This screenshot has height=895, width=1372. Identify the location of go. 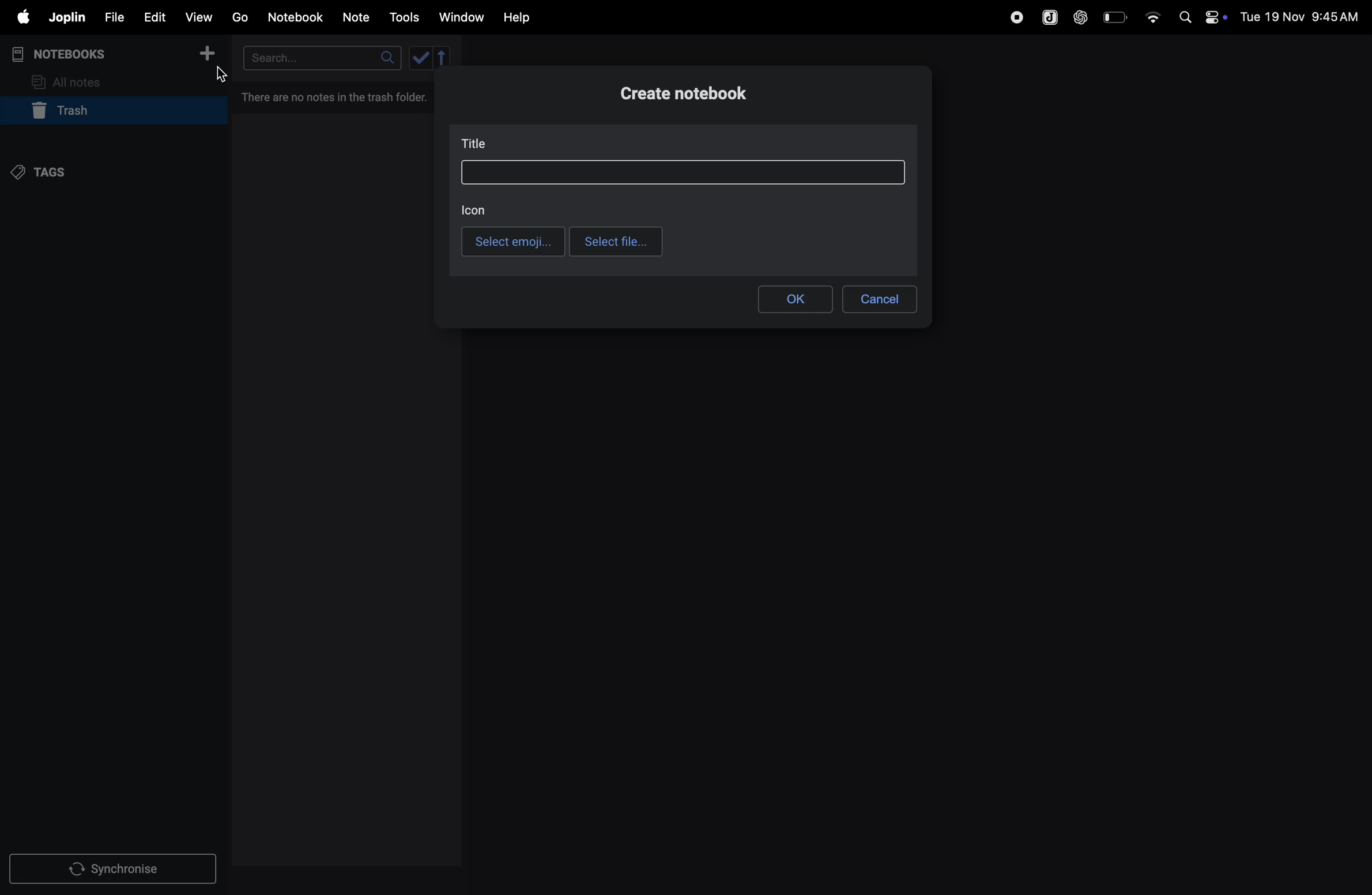
(239, 17).